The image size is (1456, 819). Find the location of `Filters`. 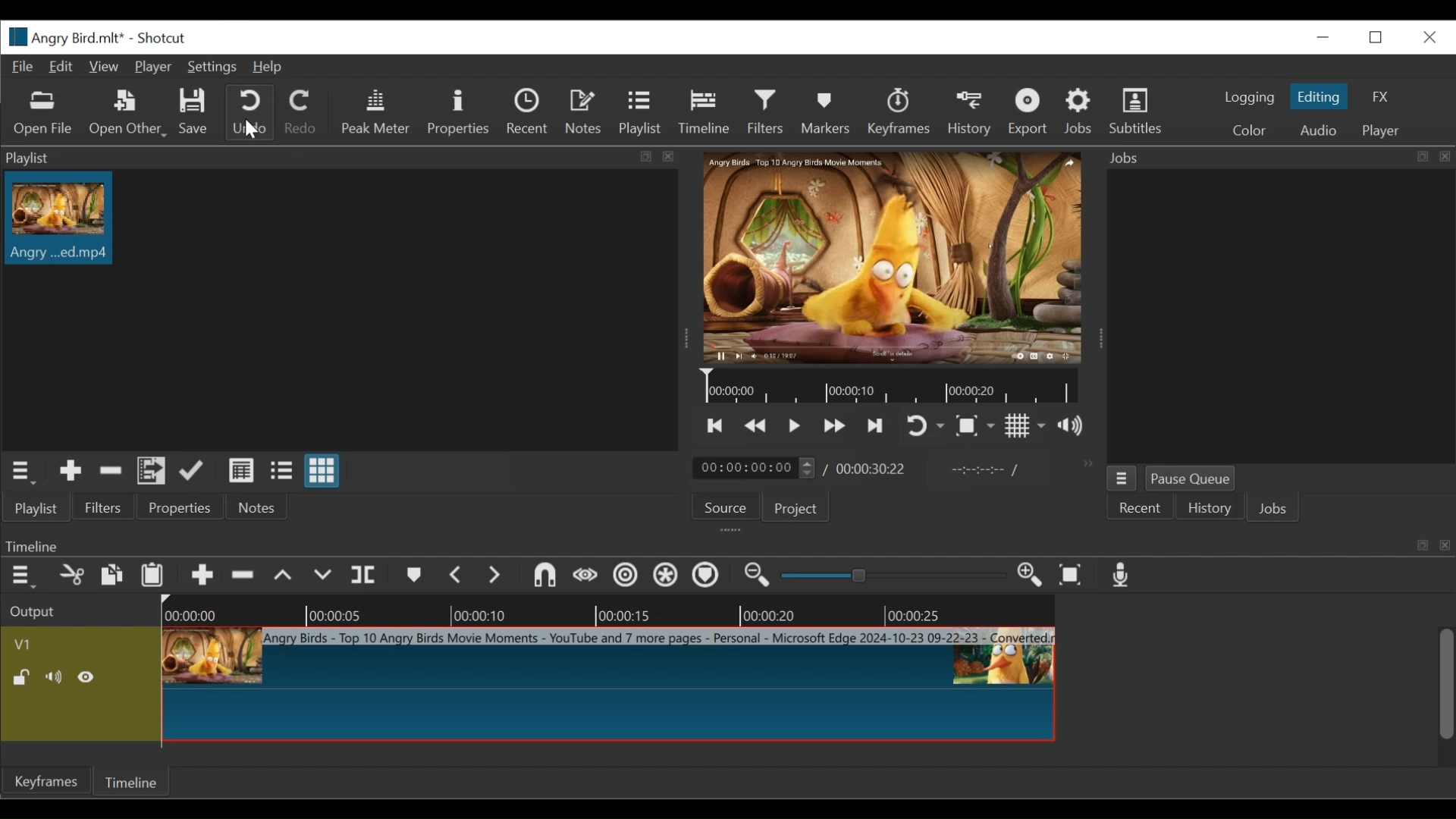

Filters is located at coordinates (101, 507).